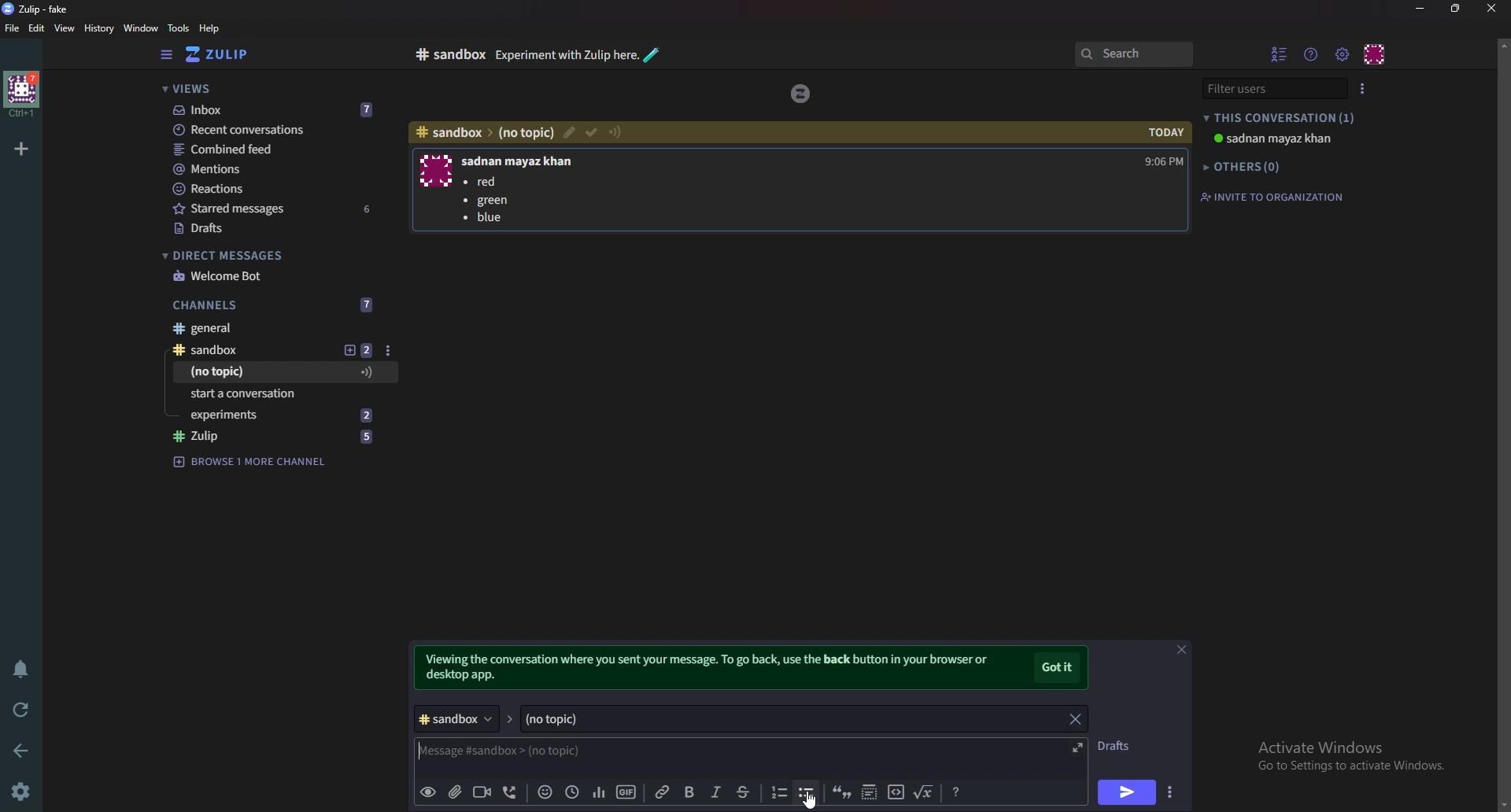 The height and width of the screenshot is (812, 1511). I want to click on Message, so click(567, 752).